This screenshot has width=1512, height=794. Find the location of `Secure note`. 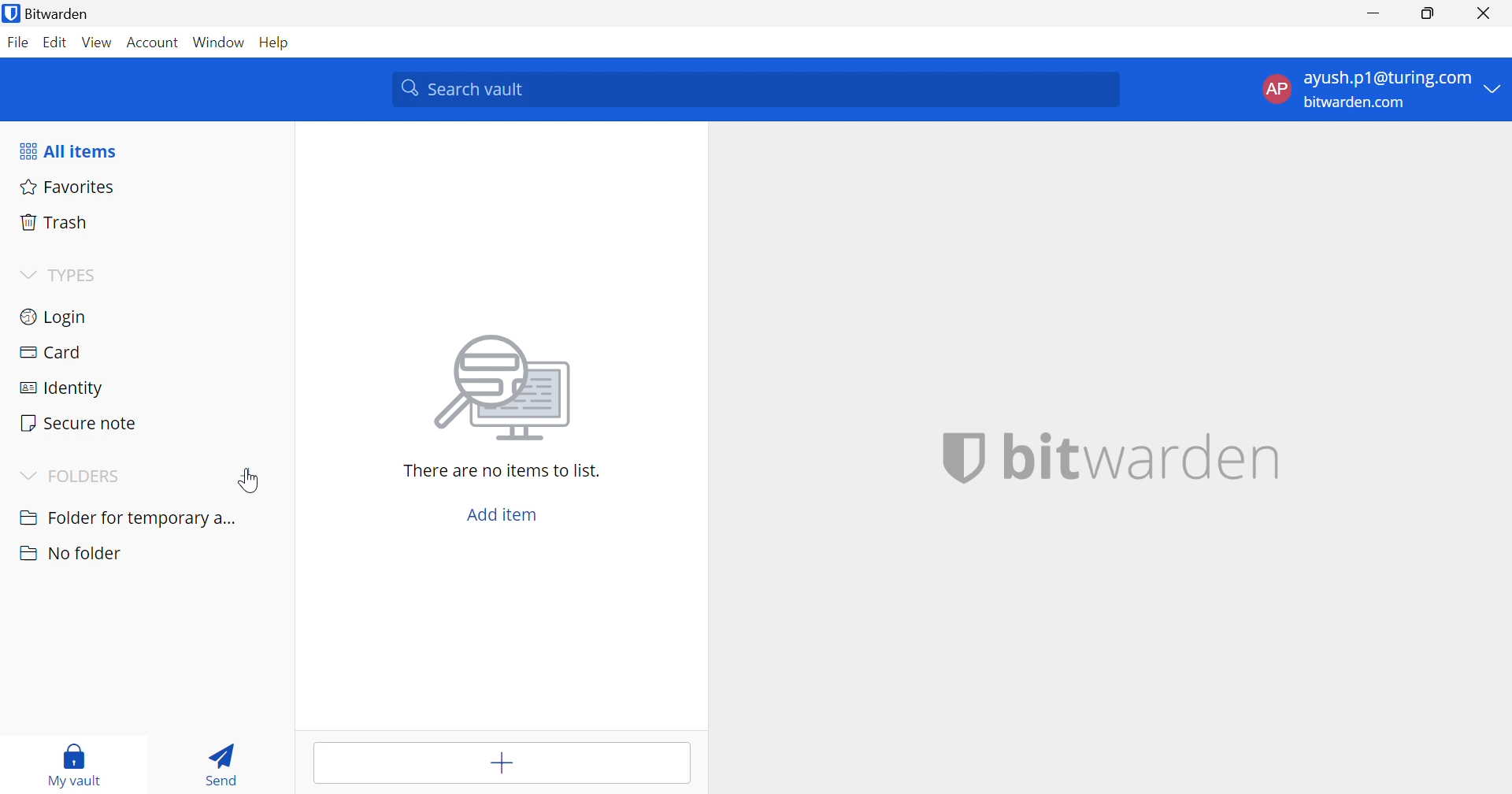

Secure note is located at coordinates (79, 421).